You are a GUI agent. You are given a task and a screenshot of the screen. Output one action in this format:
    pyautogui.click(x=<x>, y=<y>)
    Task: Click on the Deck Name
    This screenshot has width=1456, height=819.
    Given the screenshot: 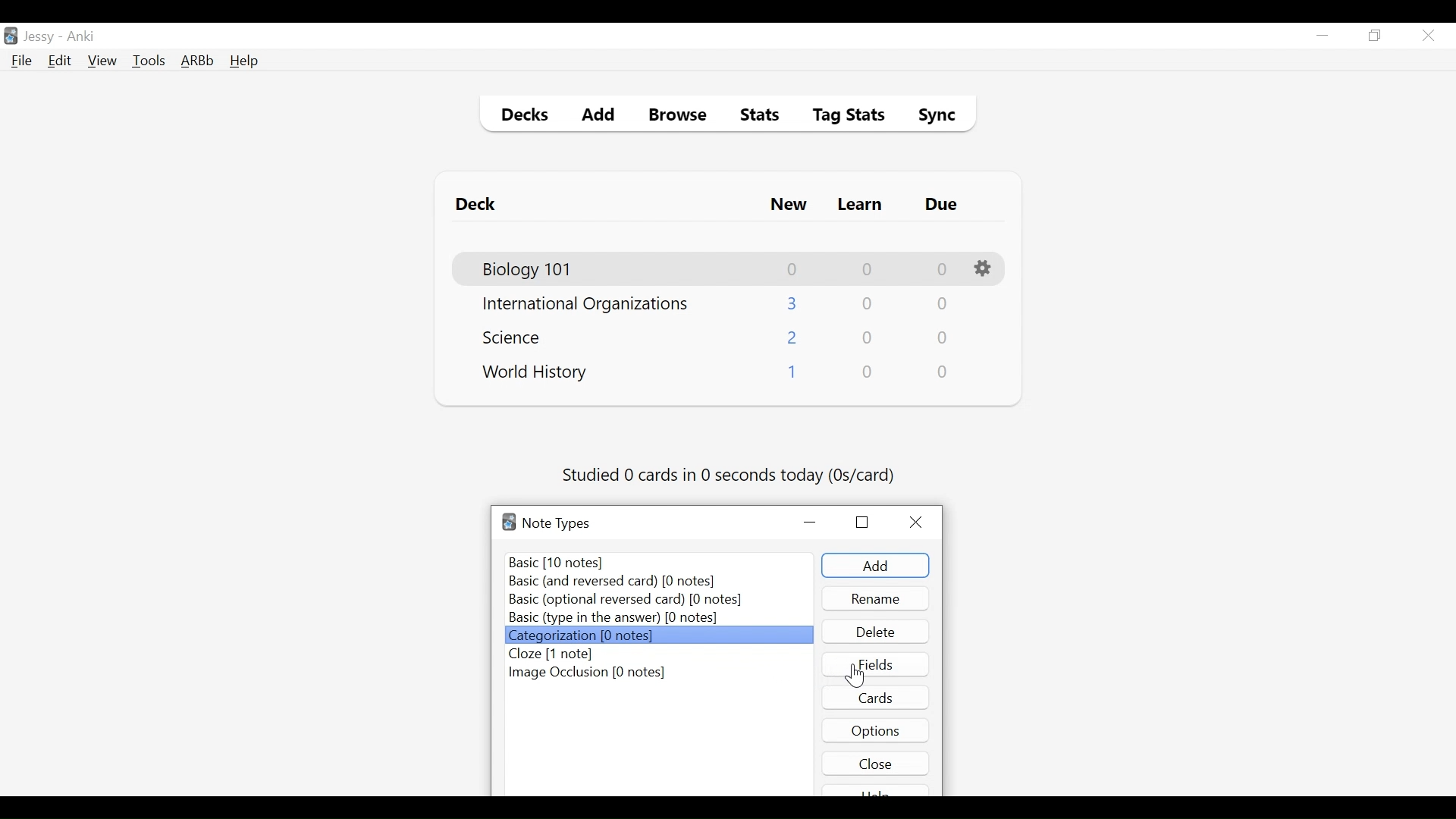 What is the action you would take?
    pyautogui.click(x=516, y=337)
    